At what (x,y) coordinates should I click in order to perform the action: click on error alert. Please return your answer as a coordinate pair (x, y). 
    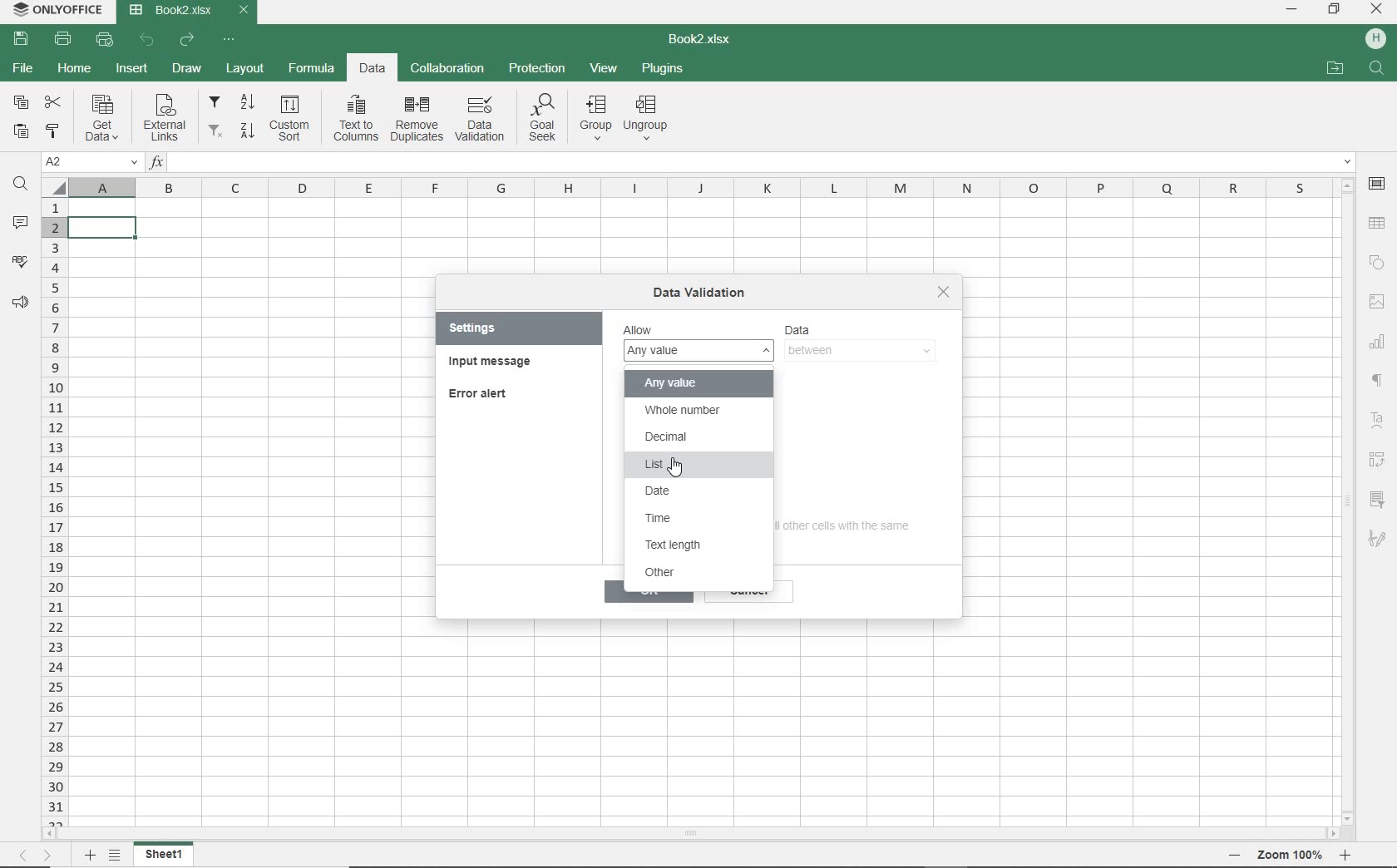
    Looking at the image, I should click on (483, 392).